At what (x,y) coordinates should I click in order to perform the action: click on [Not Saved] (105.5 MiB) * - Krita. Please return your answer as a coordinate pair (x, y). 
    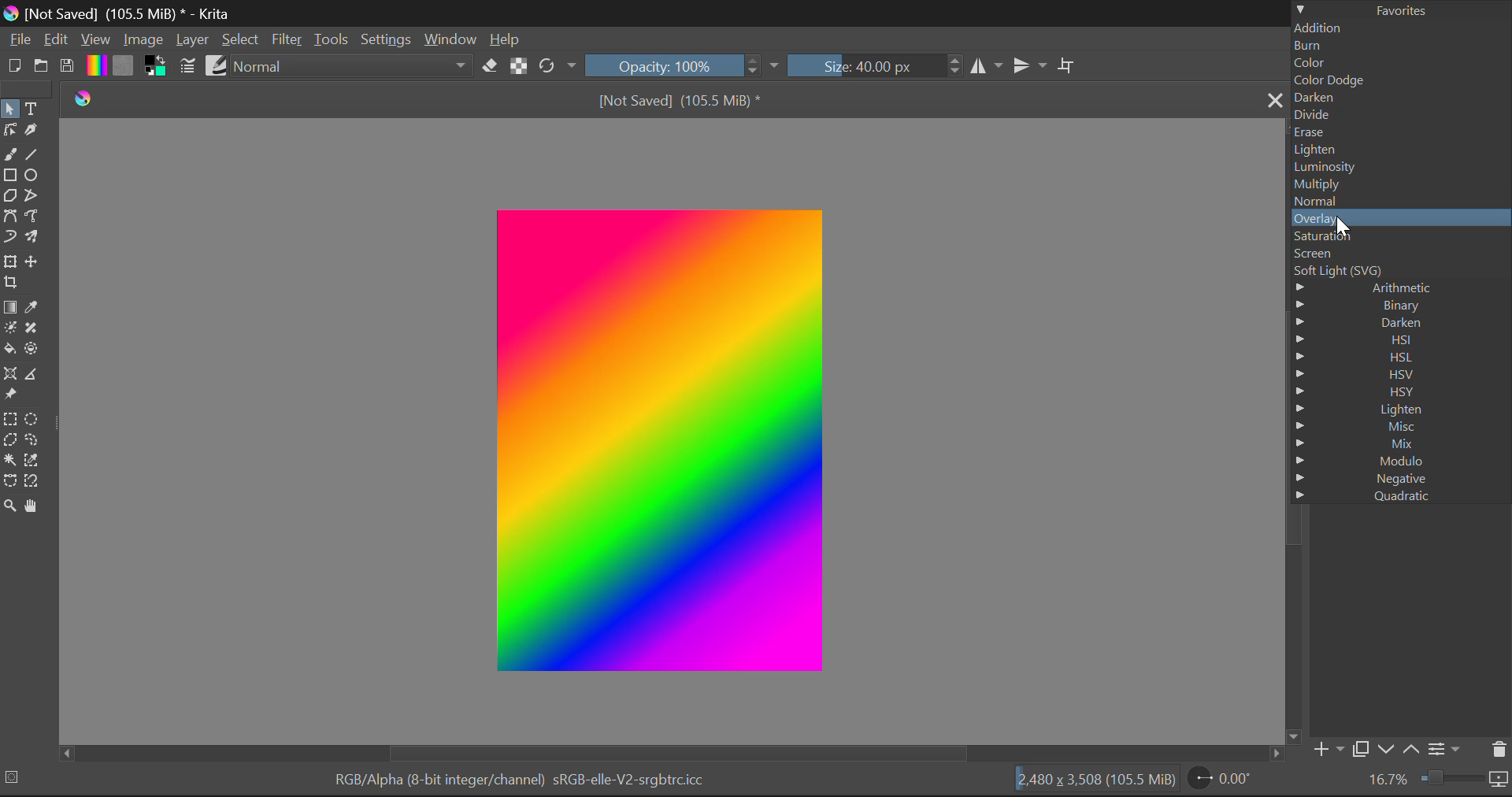
    Looking at the image, I should click on (131, 14).